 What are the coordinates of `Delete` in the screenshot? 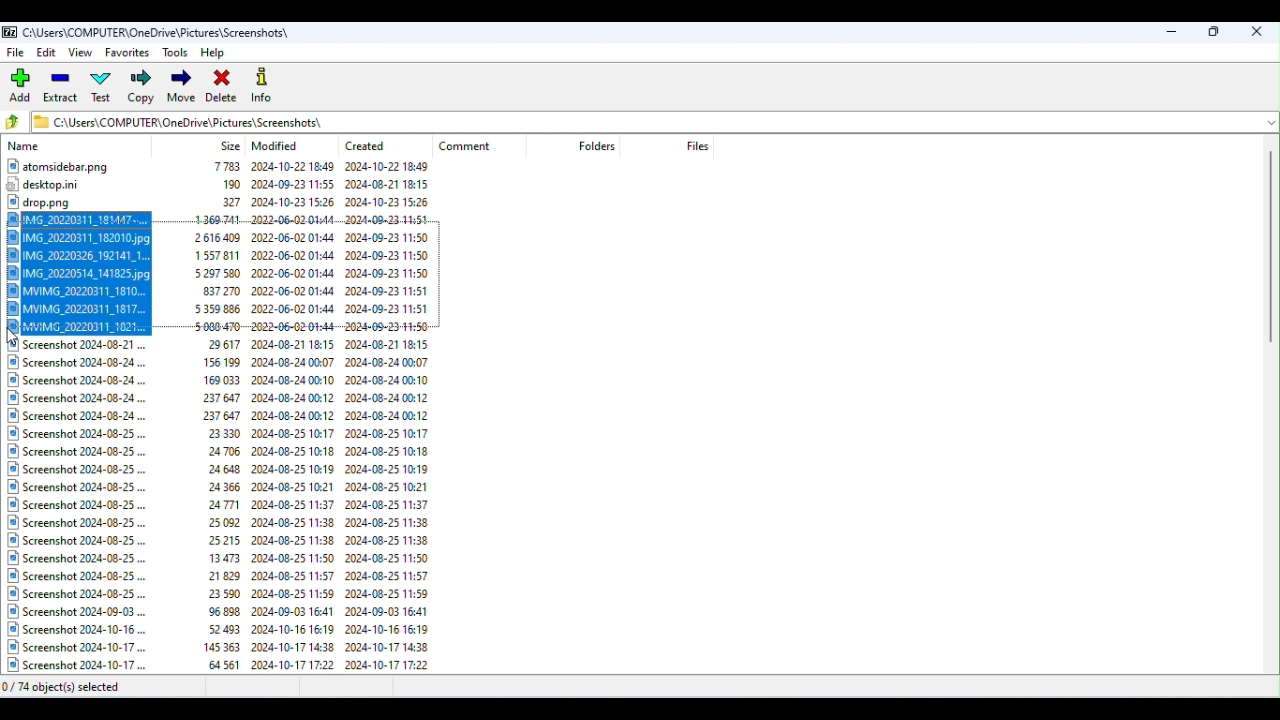 It's located at (223, 85).